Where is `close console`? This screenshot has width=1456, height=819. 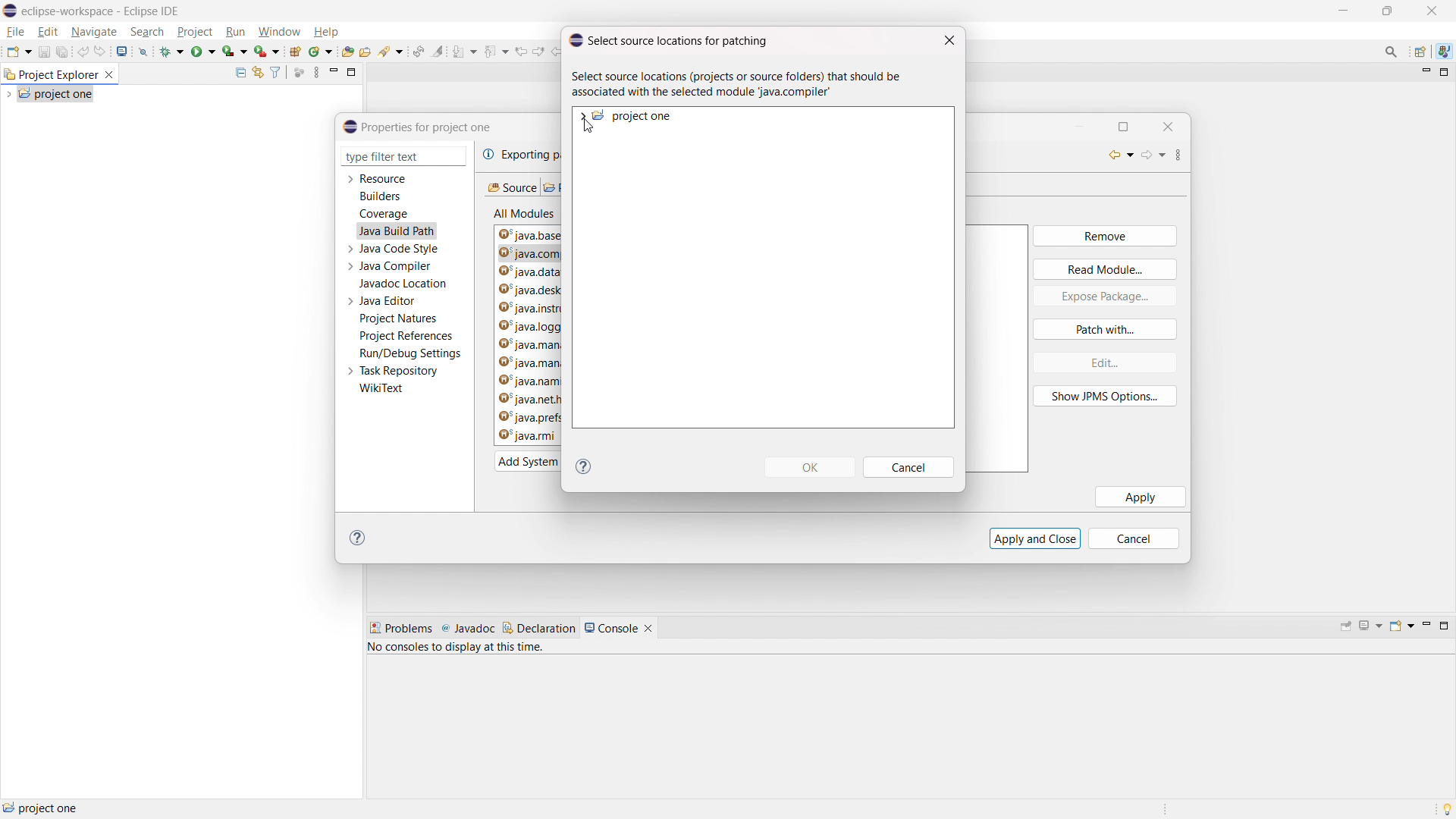 close console is located at coordinates (648, 629).